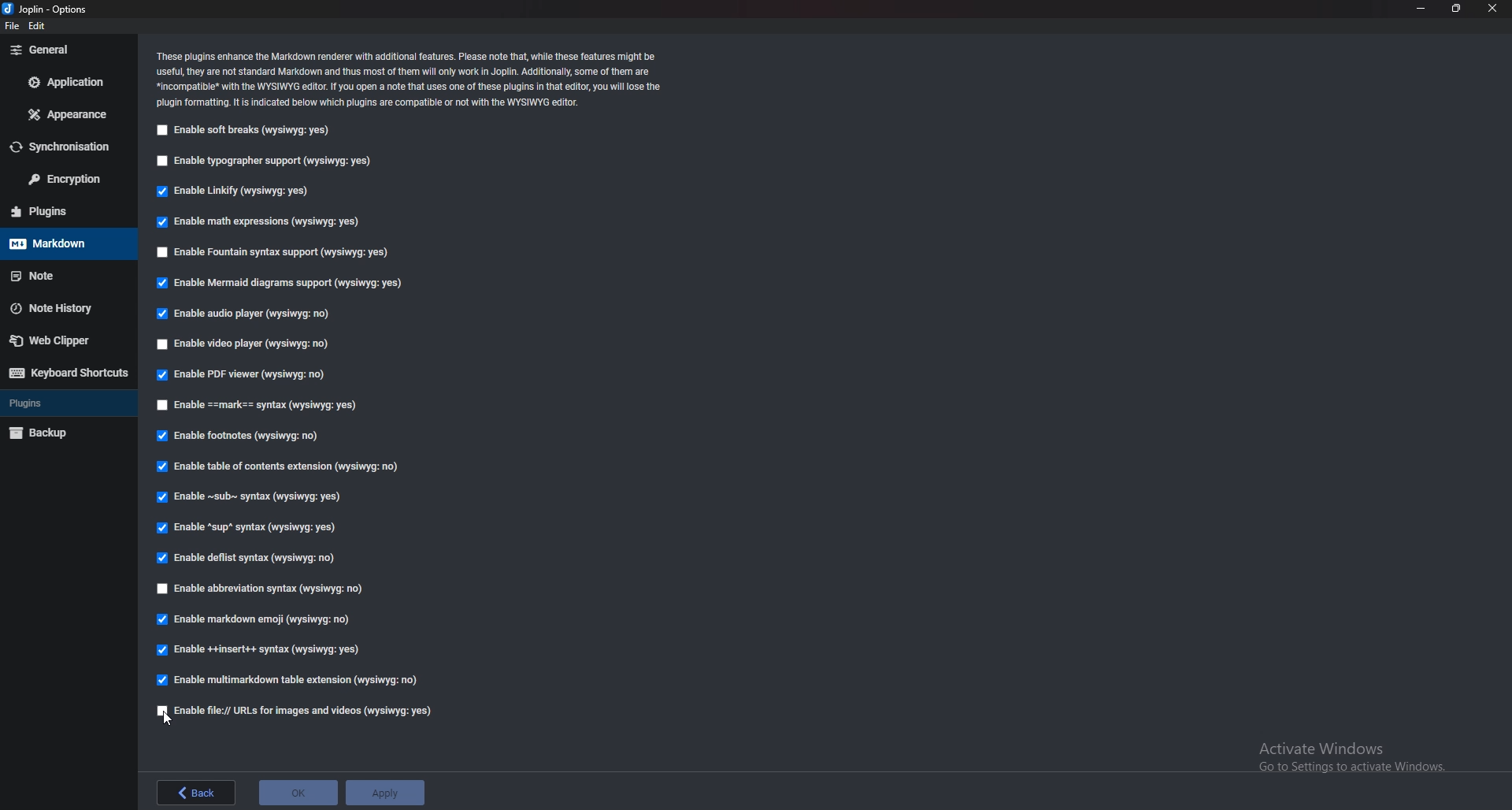  Describe the element at coordinates (69, 84) in the screenshot. I see `Application` at that location.